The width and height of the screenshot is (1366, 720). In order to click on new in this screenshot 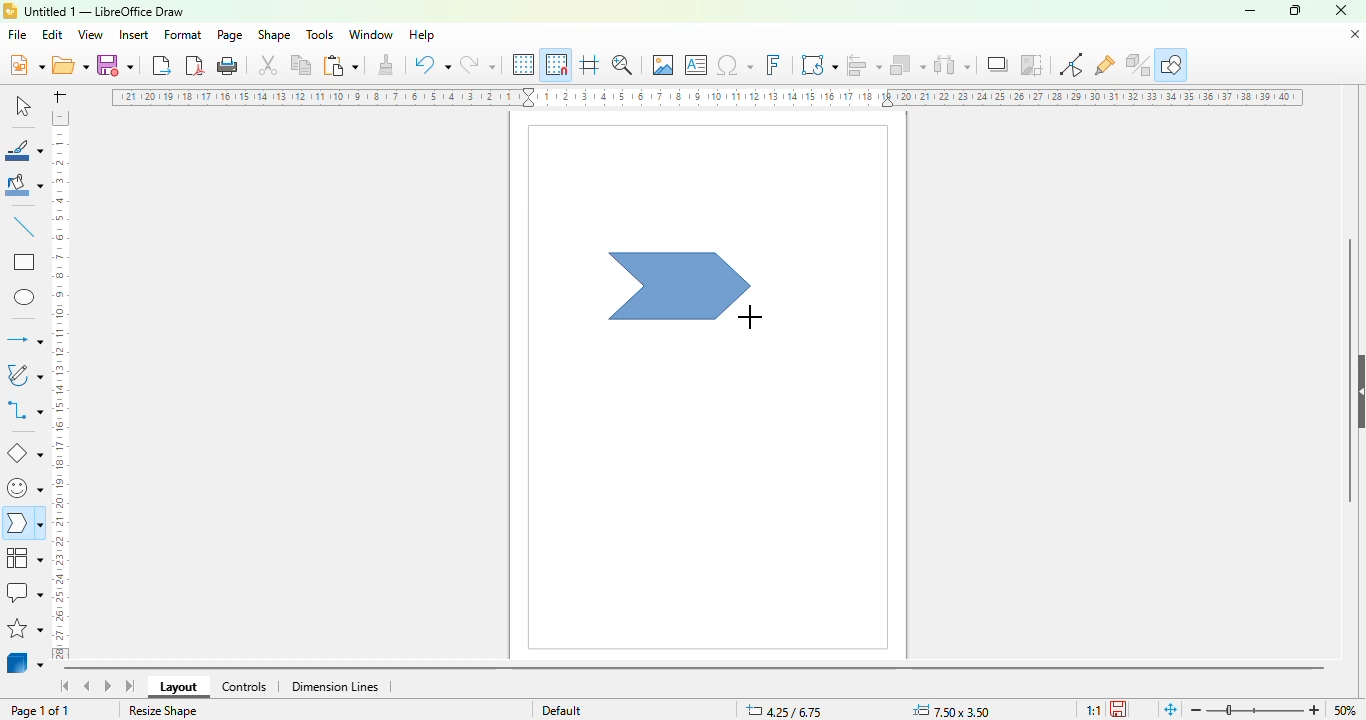, I will do `click(26, 64)`.